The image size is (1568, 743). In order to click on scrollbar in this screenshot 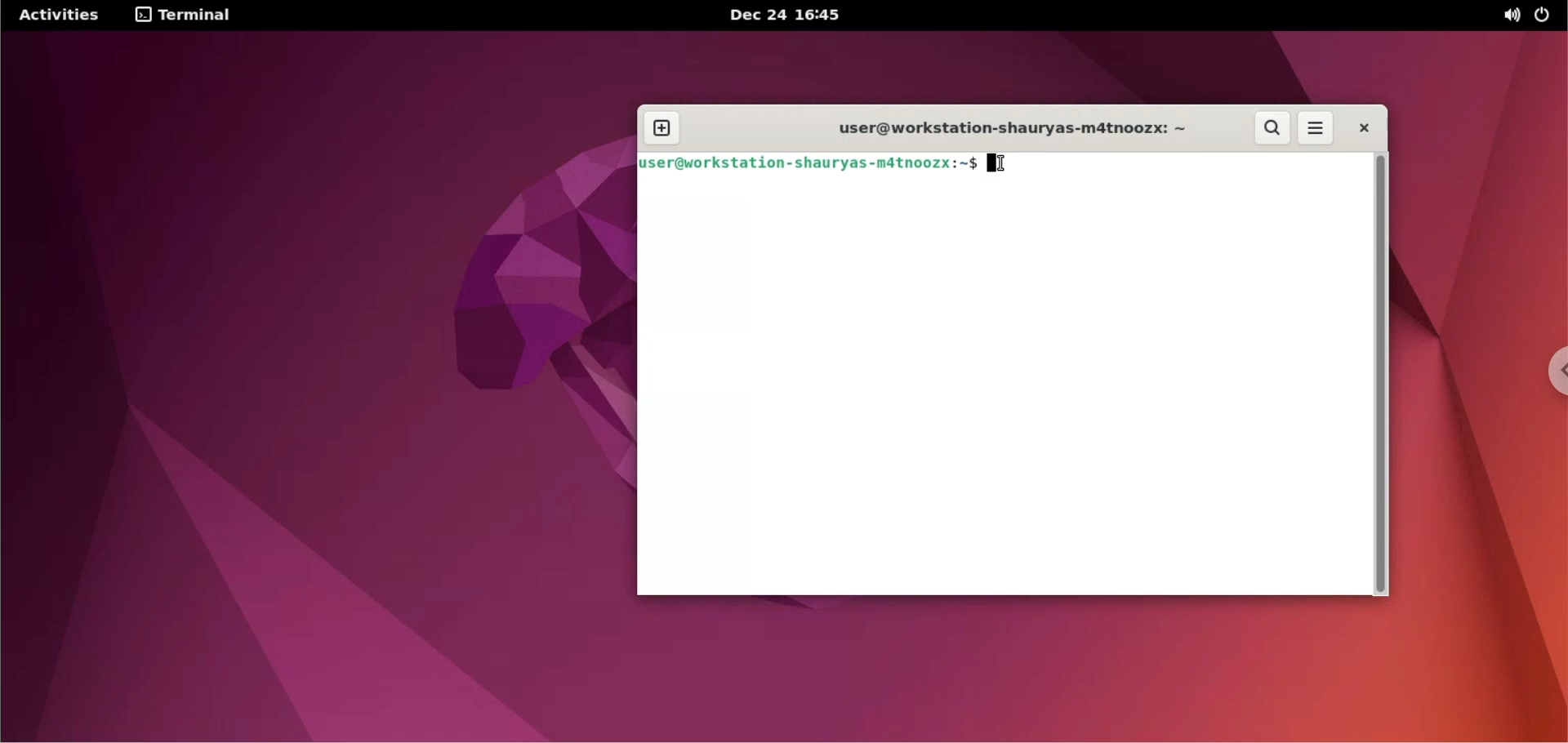, I will do `click(1380, 373)`.